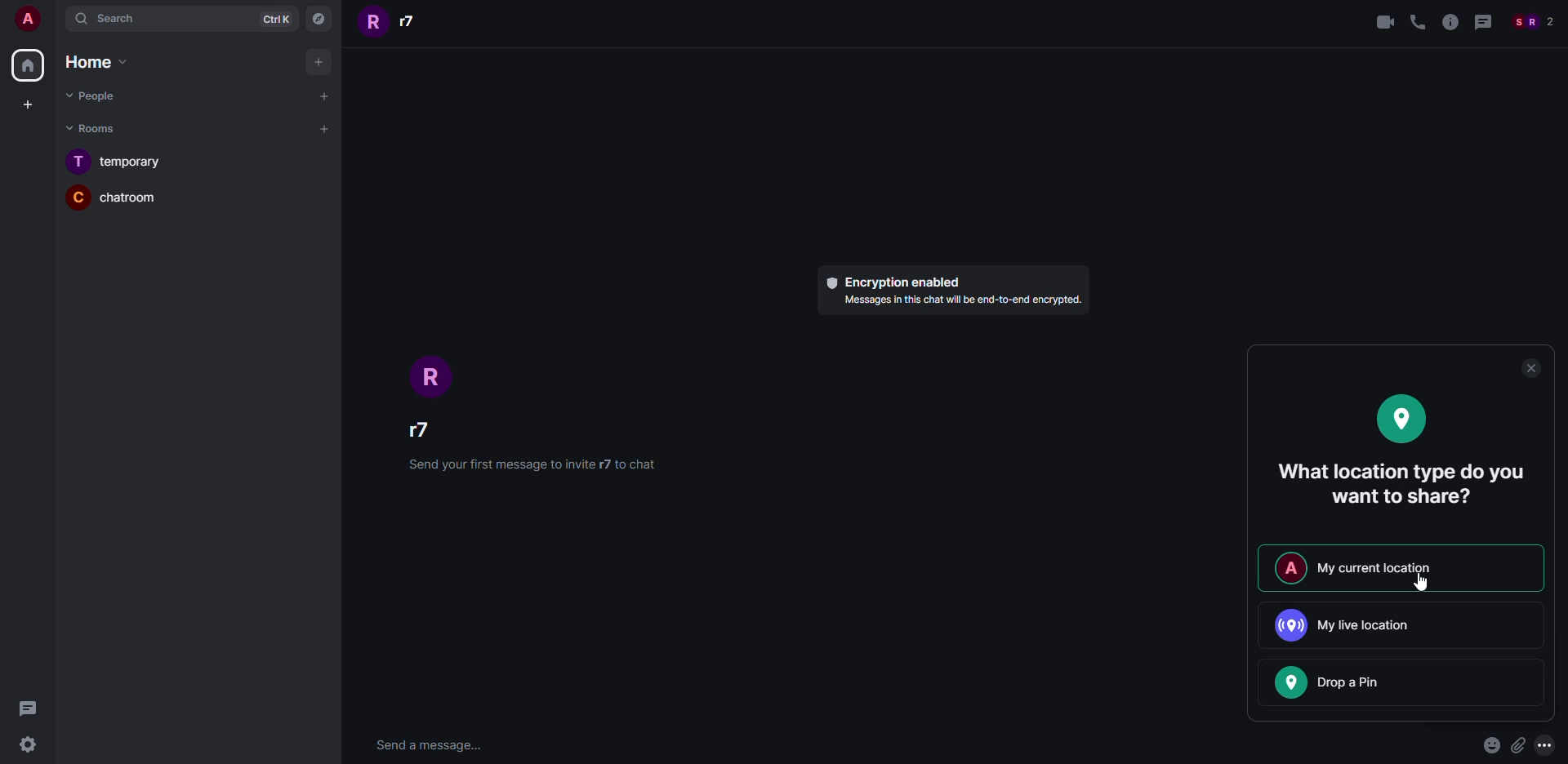  Describe the element at coordinates (1405, 682) in the screenshot. I see `drop a pin` at that location.